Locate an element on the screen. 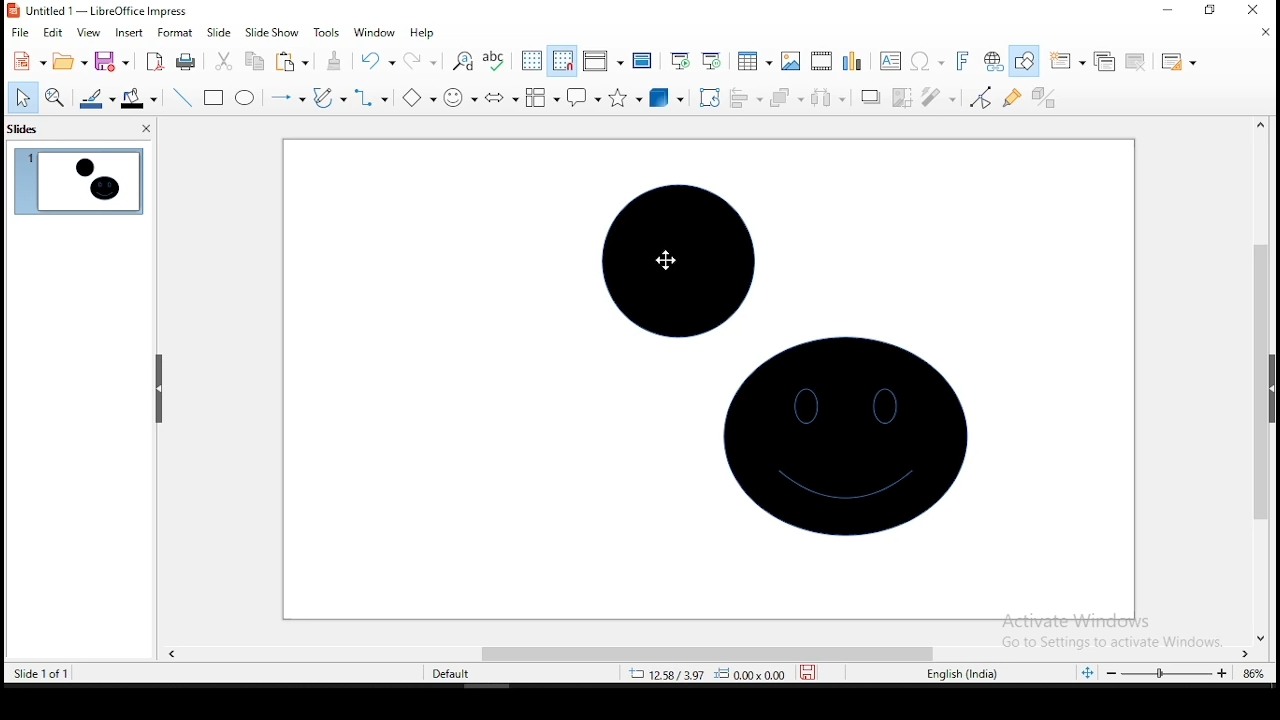 The image size is (1280, 720). toggle point edit mode is located at coordinates (981, 96).